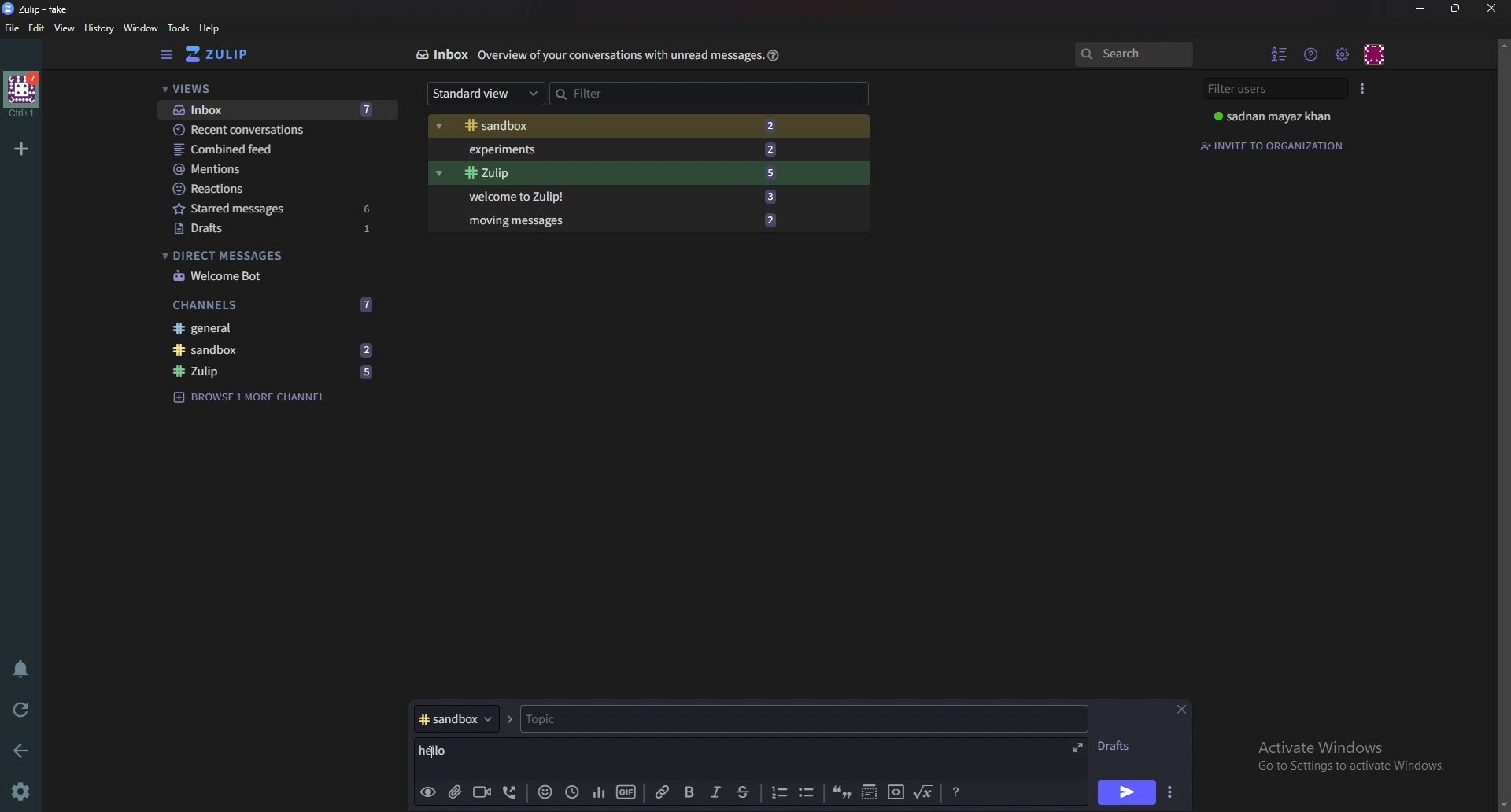 This screenshot has height=812, width=1511. Describe the element at coordinates (689, 792) in the screenshot. I see `Bold` at that location.